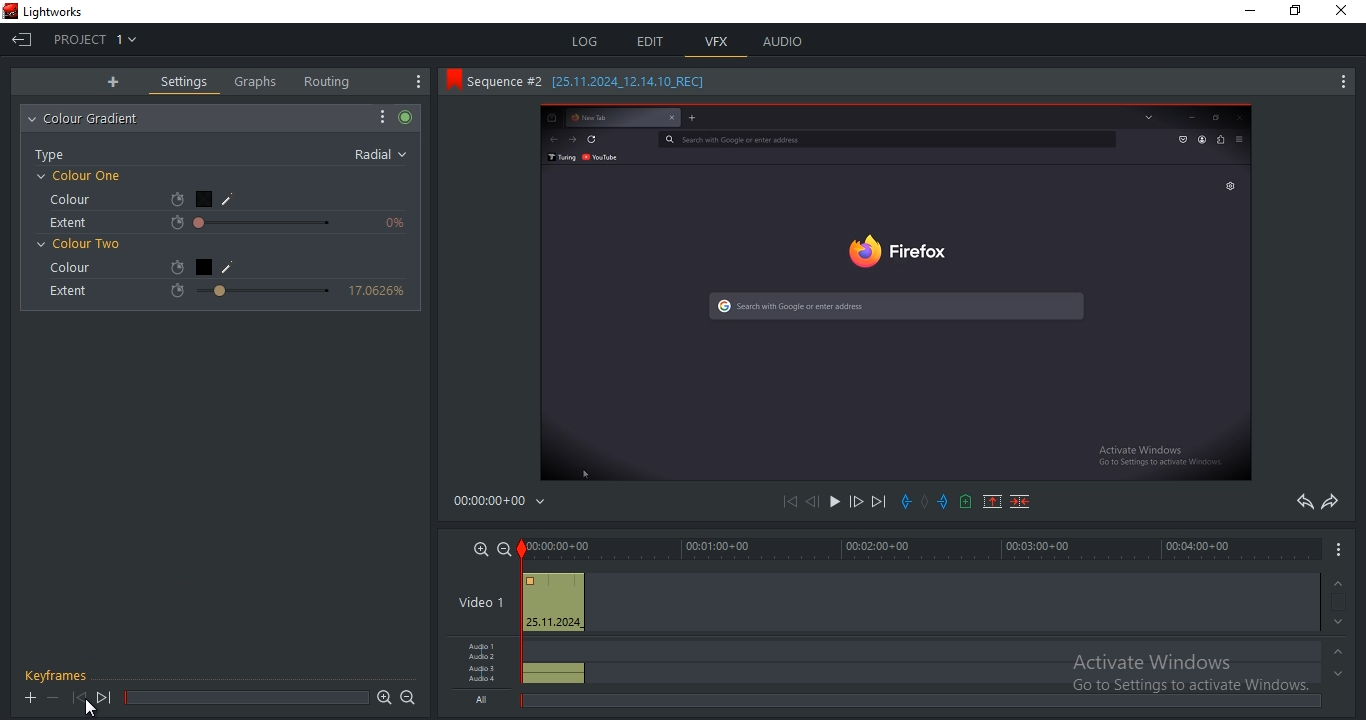 Image resolution: width=1366 pixels, height=720 pixels. I want to click on mark out, so click(943, 499).